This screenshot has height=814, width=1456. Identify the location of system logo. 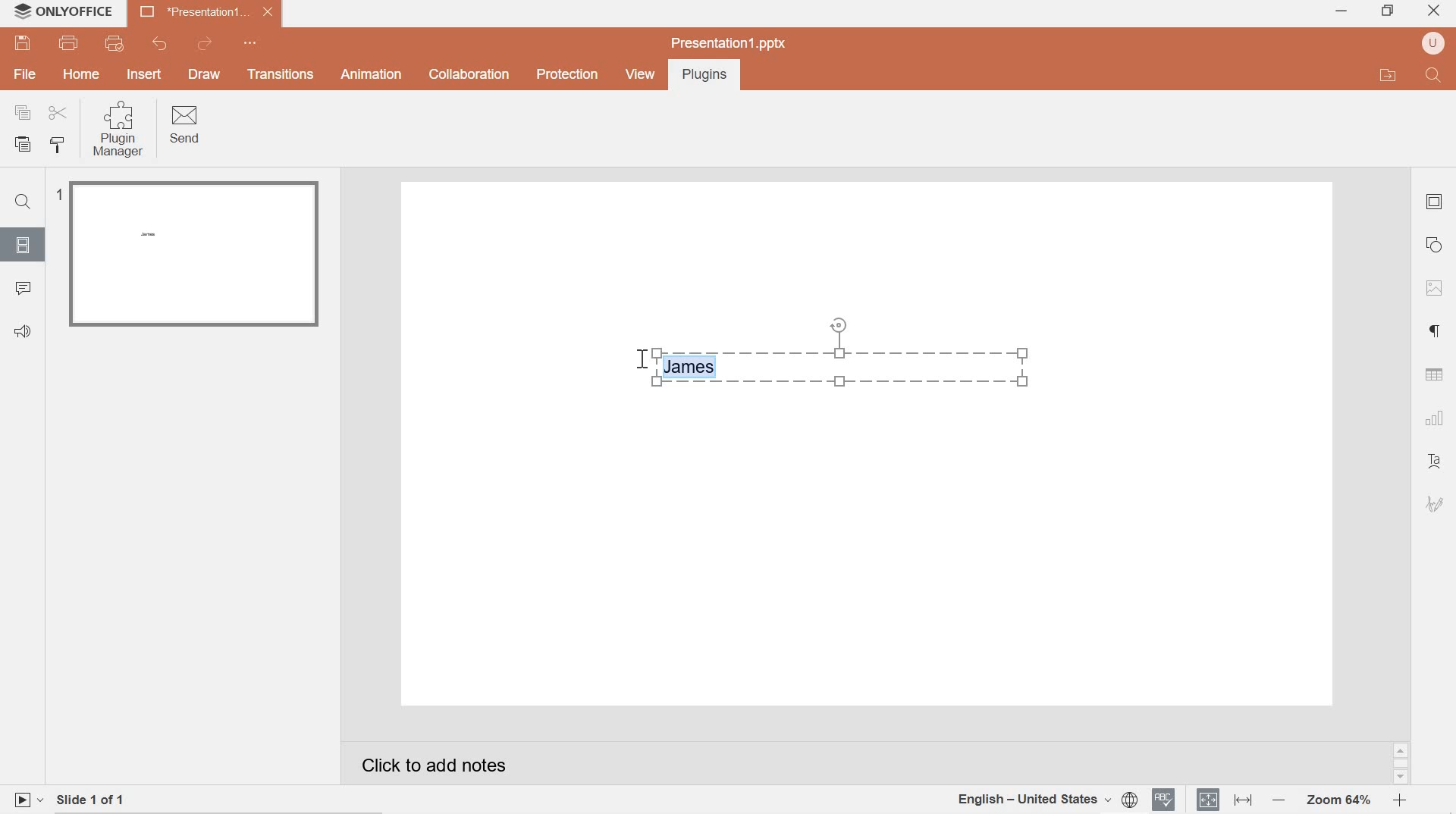
(21, 11).